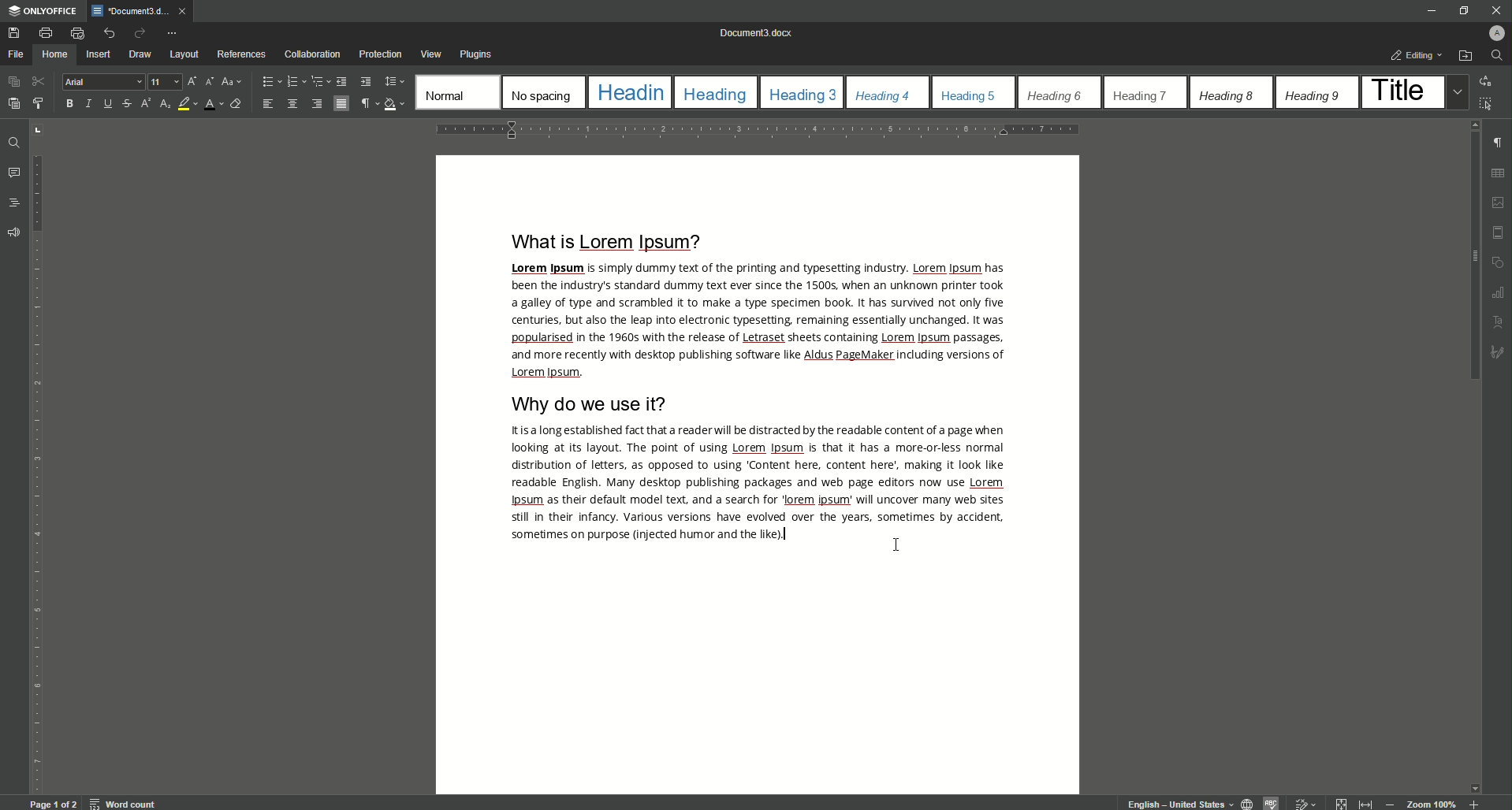 This screenshot has height=810, width=1512. Describe the element at coordinates (599, 241) in the screenshot. I see `What is Lorem Ipsum?` at that location.